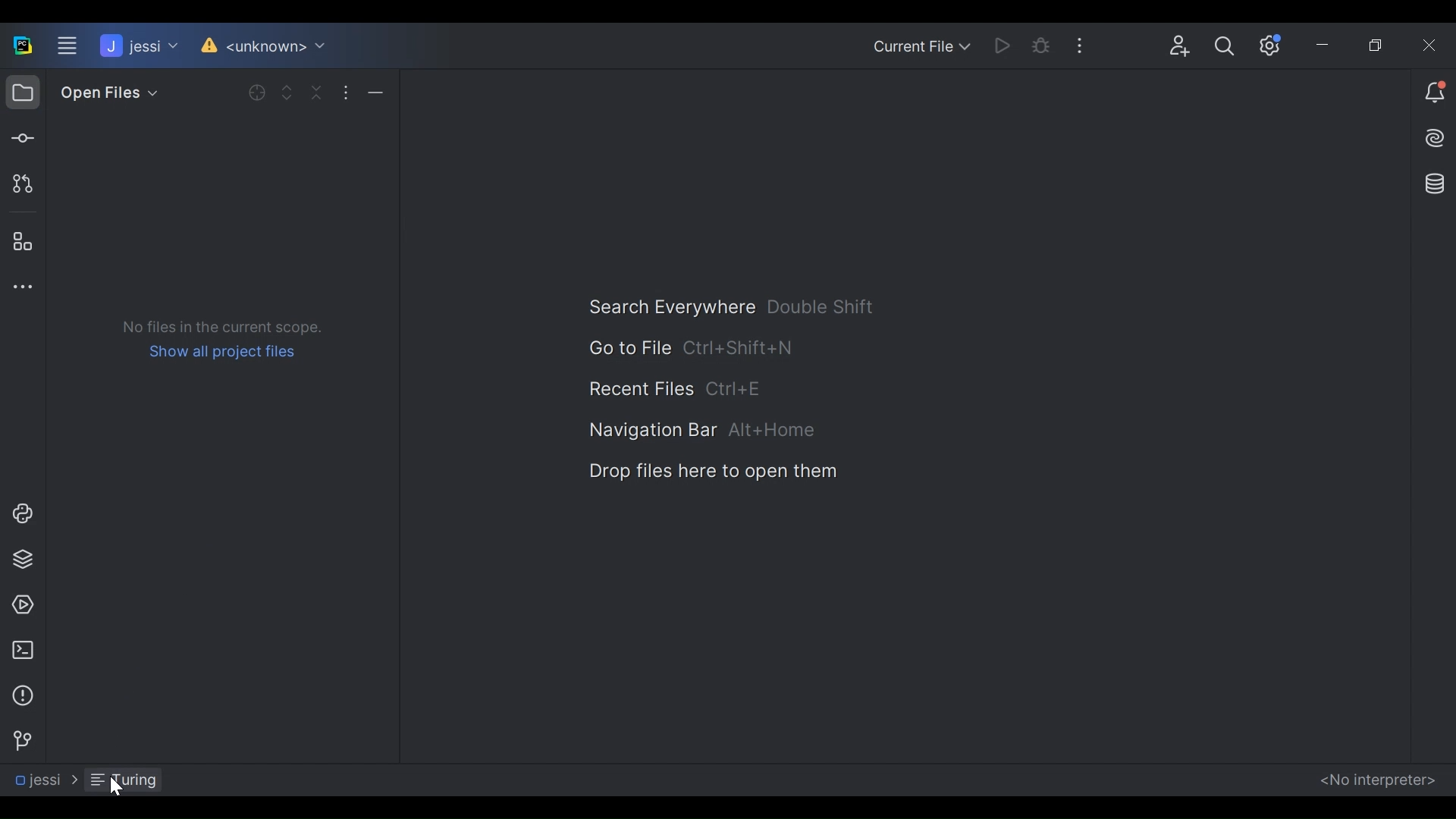  What do you see at coordinates (344, 91) in the screenshot?
I see `More` at bounding box center [344, 91].